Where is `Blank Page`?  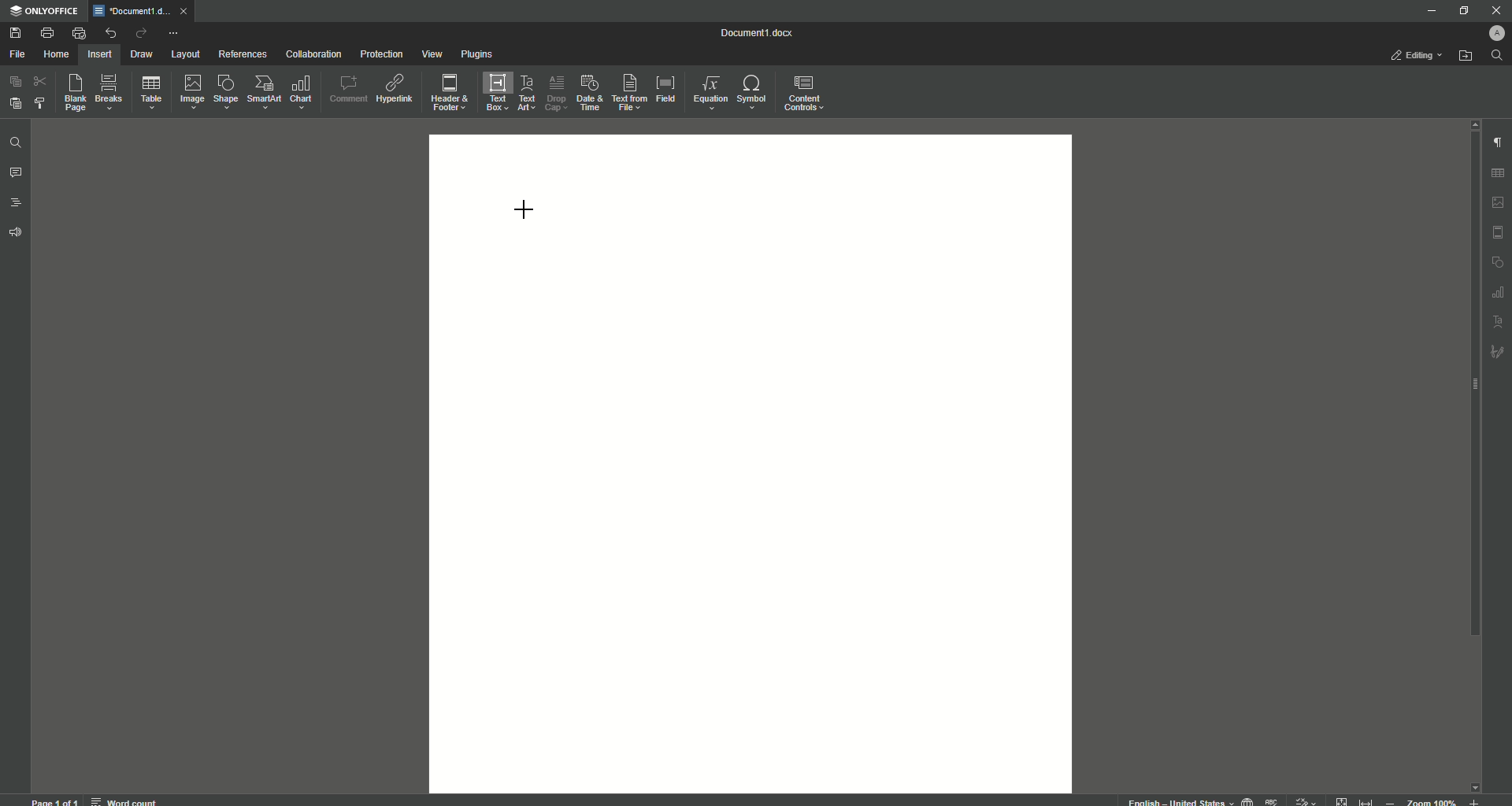
Blank Page is located at coordinates (76, 92).